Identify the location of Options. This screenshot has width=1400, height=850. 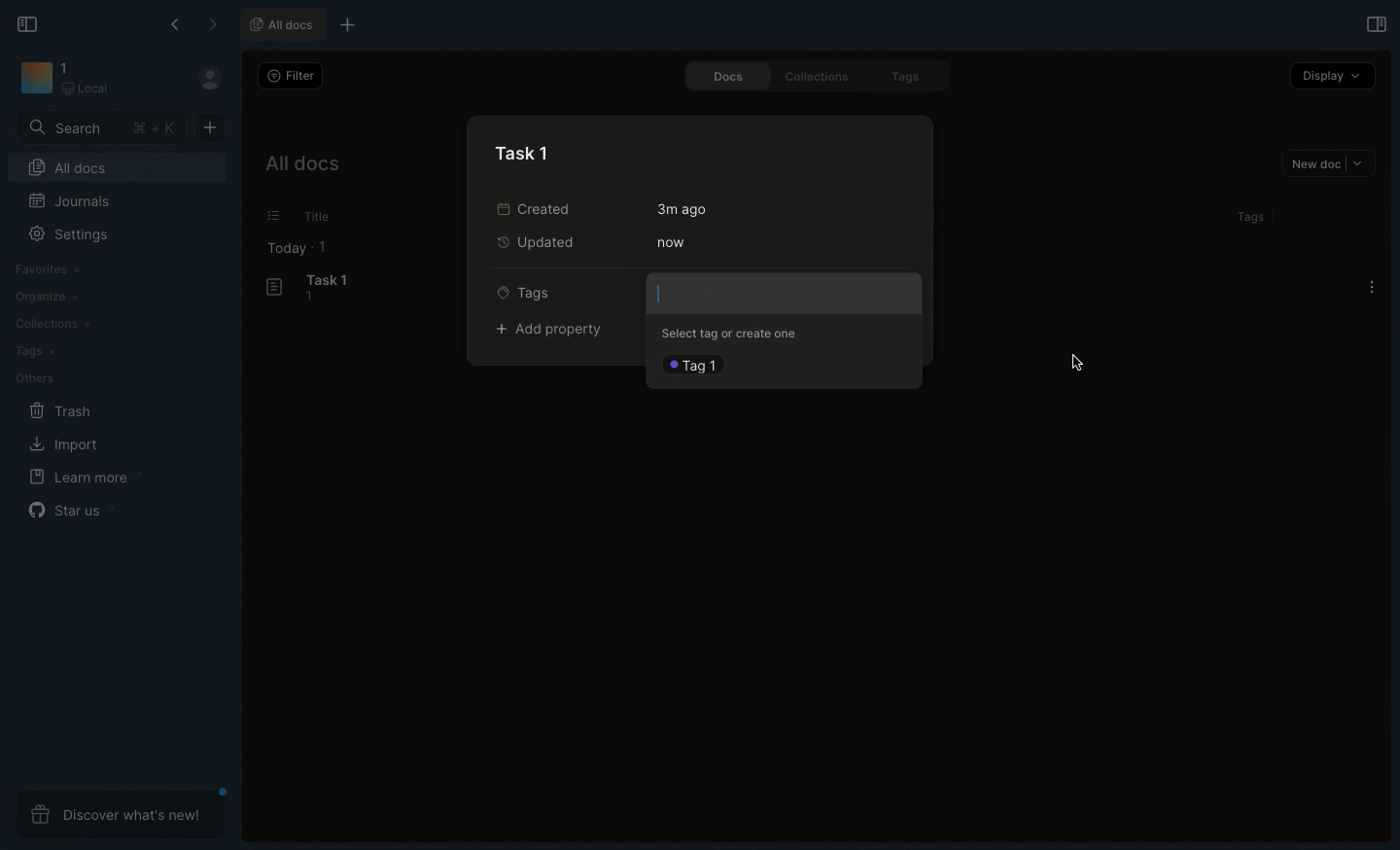
(1372, 287).